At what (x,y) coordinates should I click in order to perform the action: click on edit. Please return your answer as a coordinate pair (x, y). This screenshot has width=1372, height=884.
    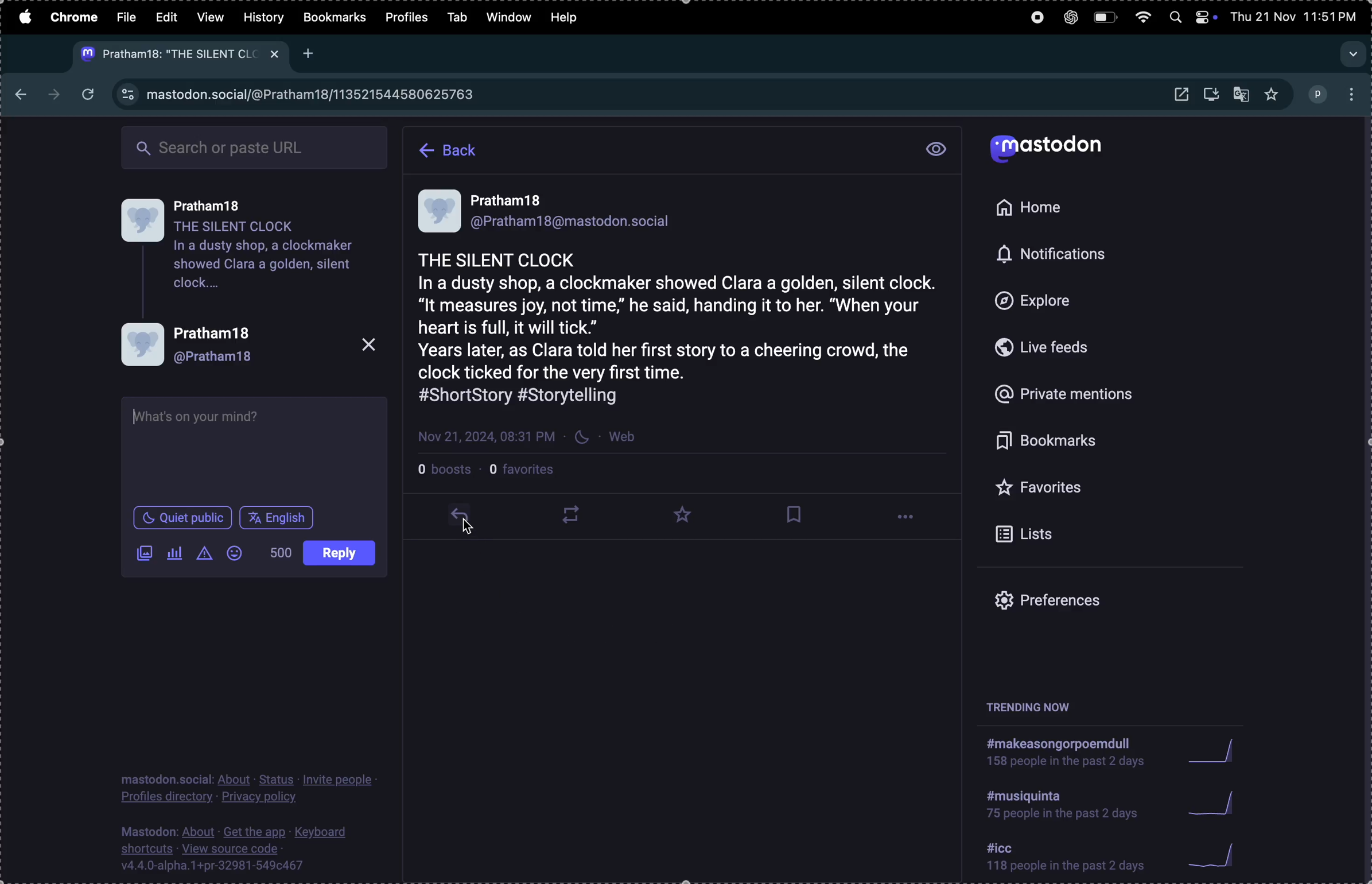
    Looking at the image, I should click on (165, 17).